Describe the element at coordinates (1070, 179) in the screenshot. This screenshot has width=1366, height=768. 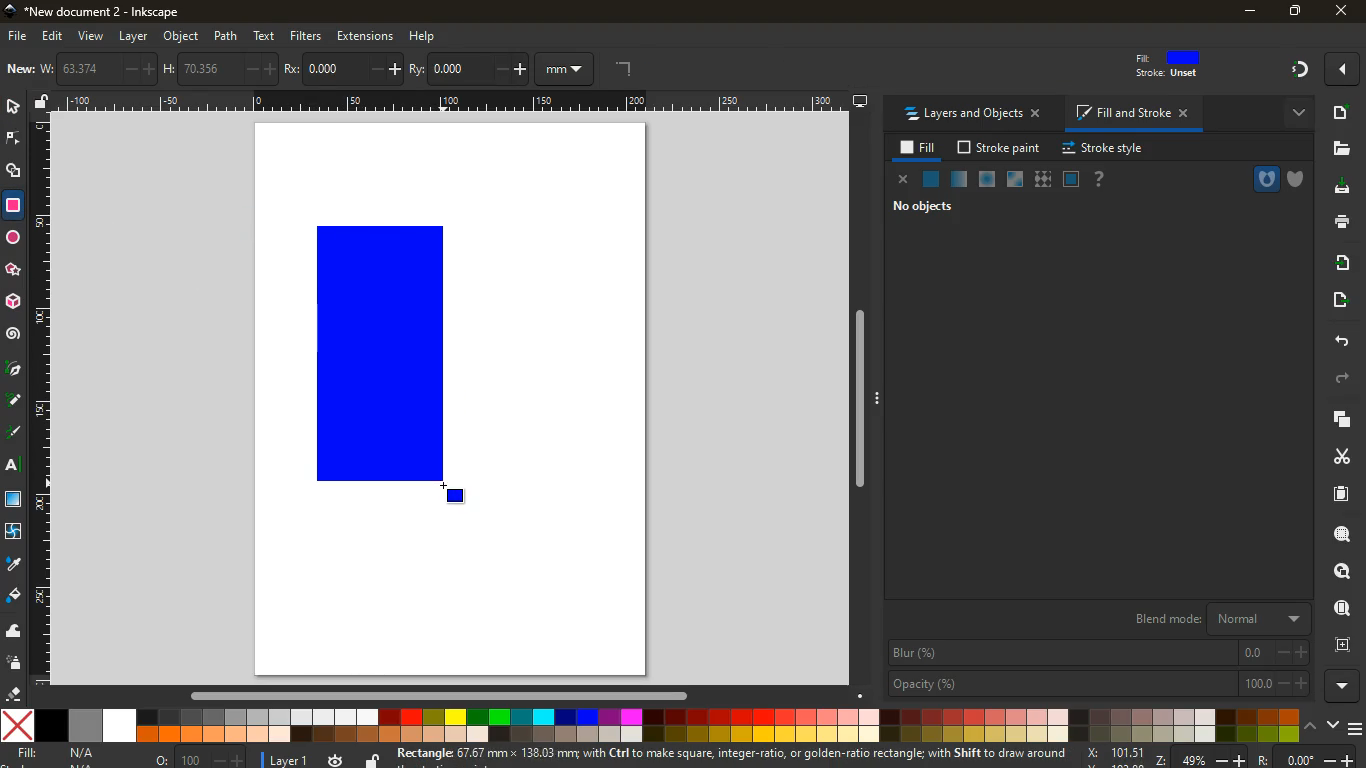
I see `glass` at that location.